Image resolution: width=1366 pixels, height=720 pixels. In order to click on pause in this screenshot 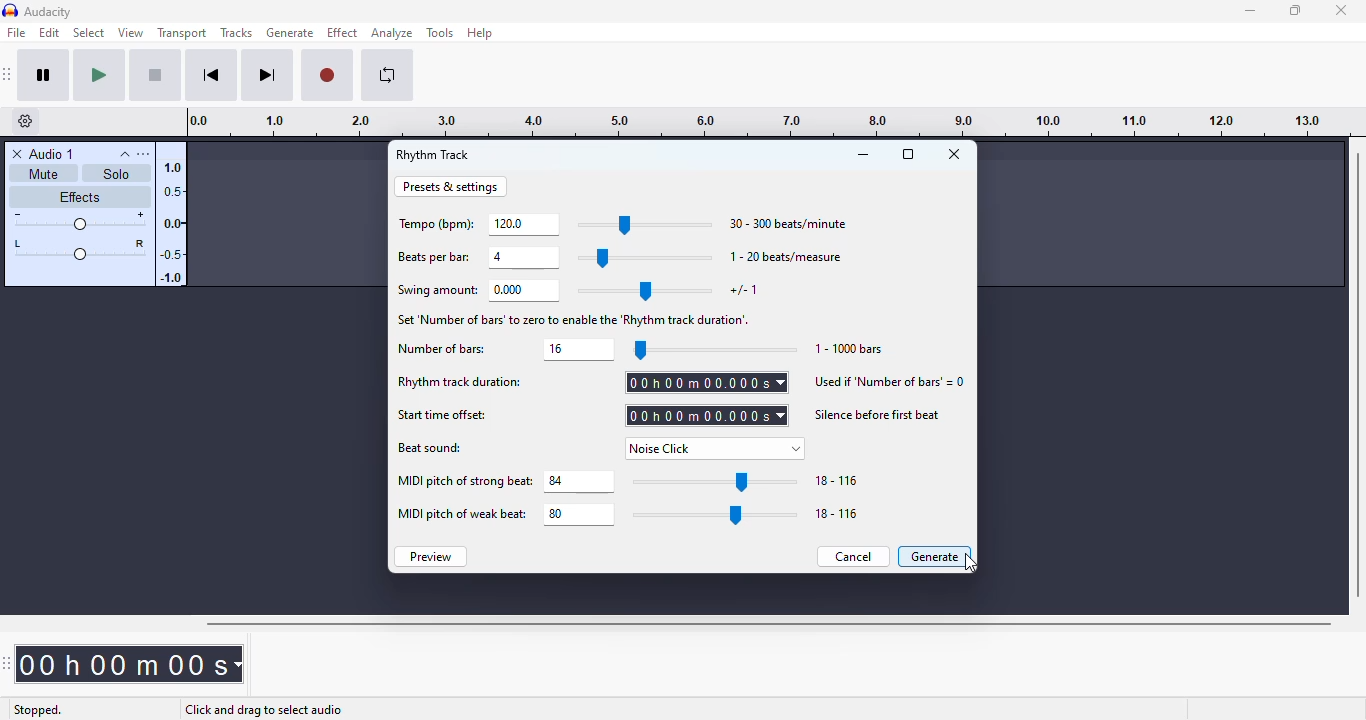, I will do `click(44, 75)`.